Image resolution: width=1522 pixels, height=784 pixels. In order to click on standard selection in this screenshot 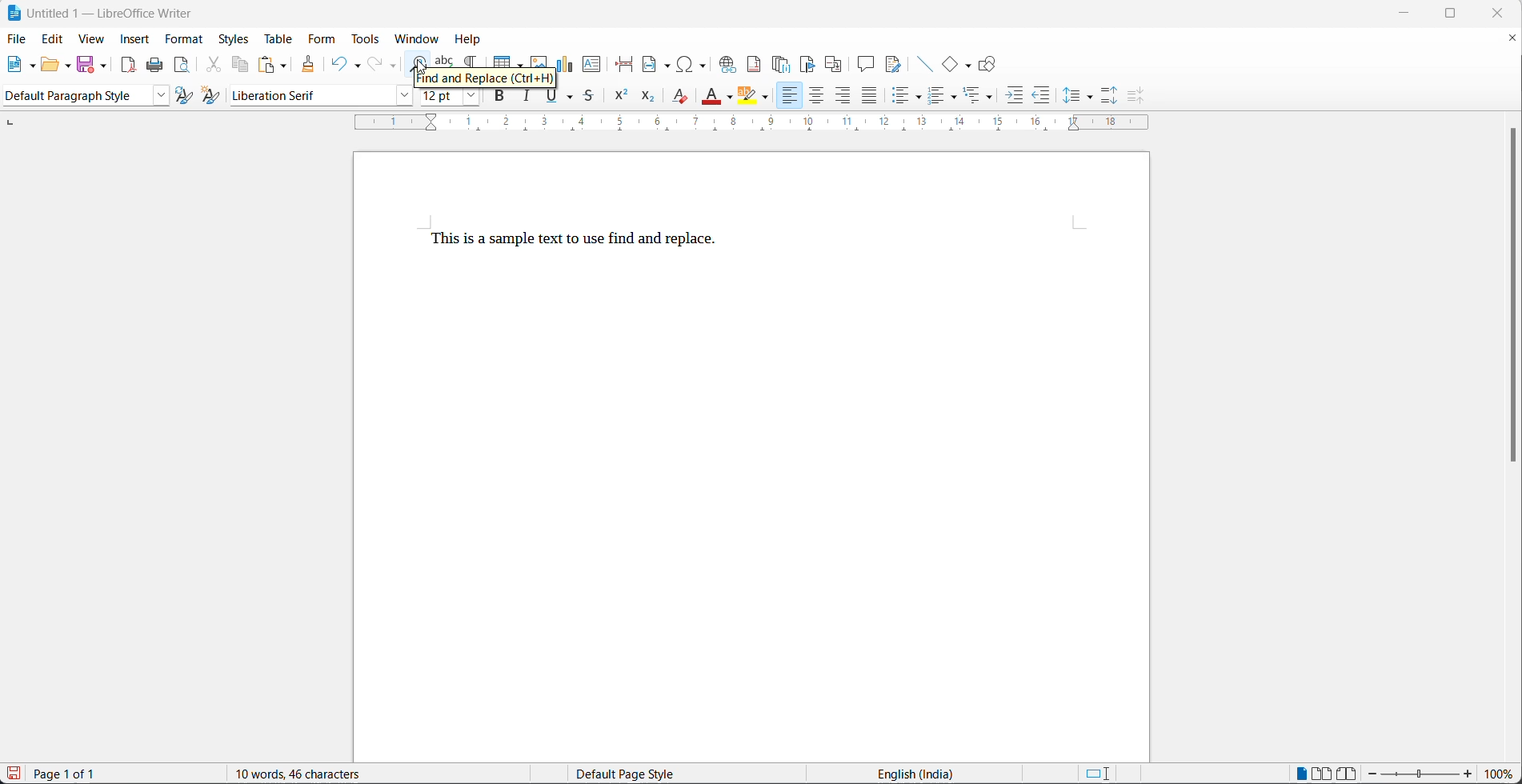, I will do `click(1097, 773)`.